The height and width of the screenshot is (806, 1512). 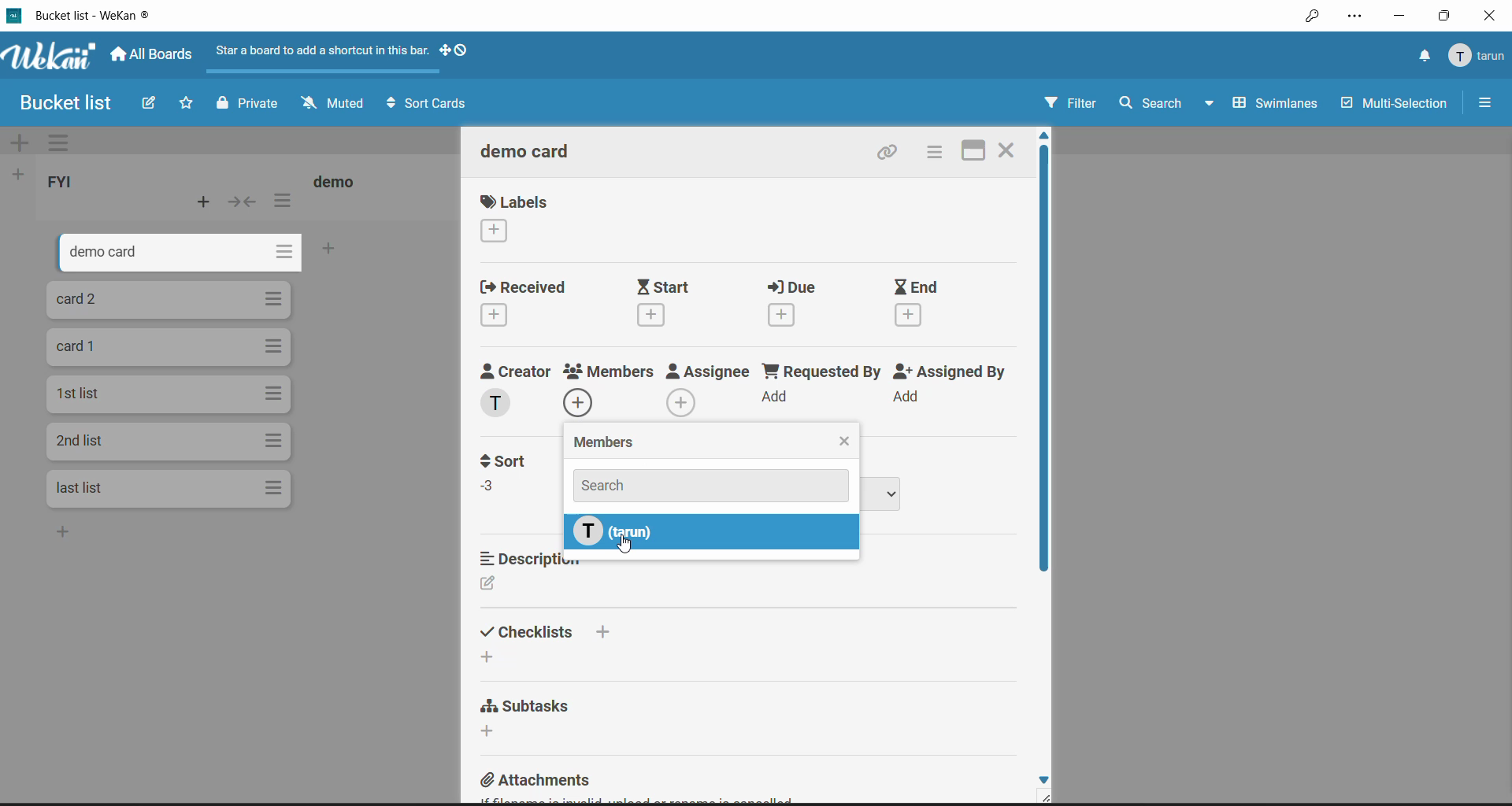 What do you see at coordinates (891, 151) in the screenshot?
I see `copy card link to clipboard` at bounding box center [891, 151].